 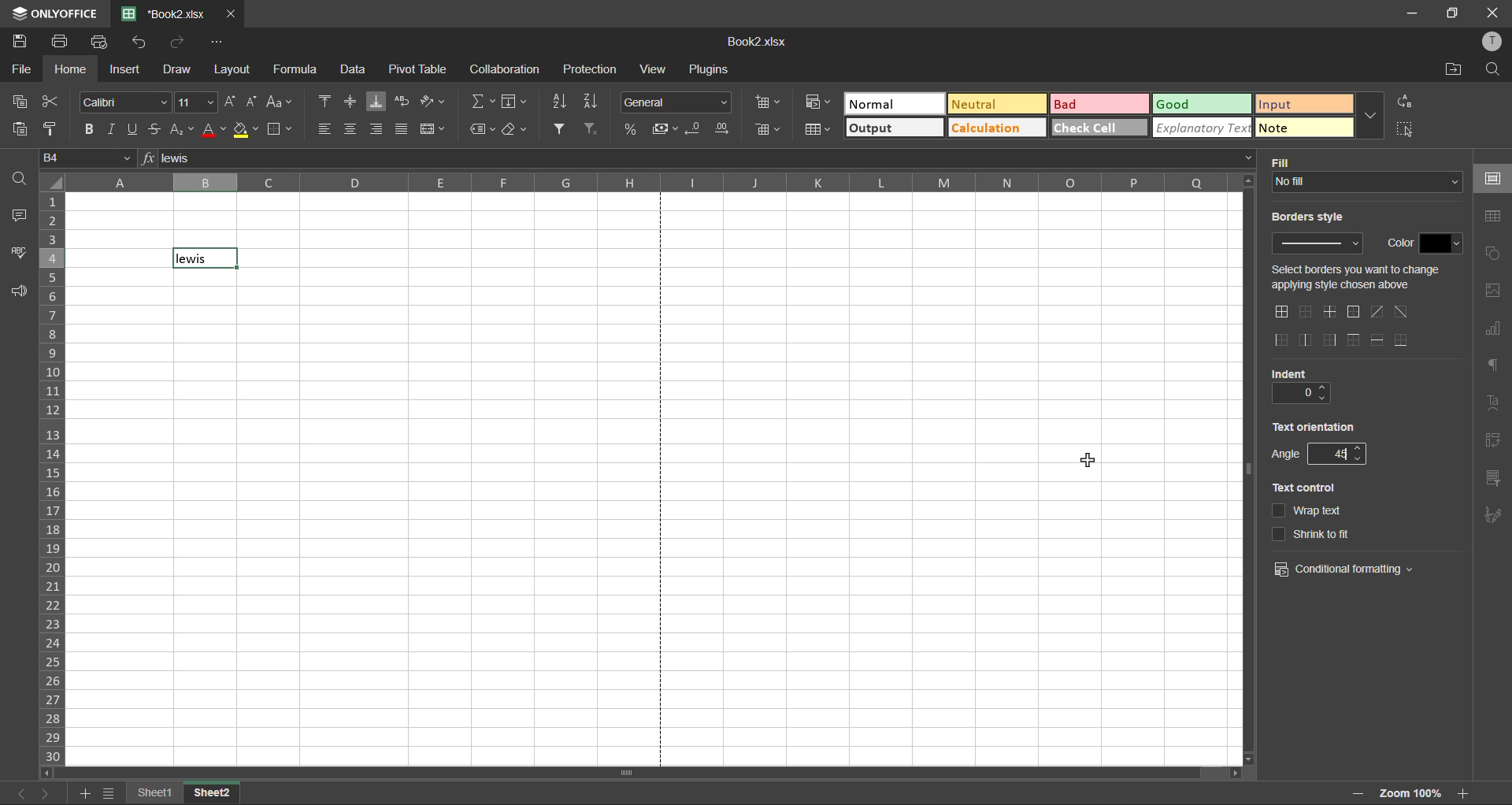 I want to click on orientation, so click(x=432, y=100).